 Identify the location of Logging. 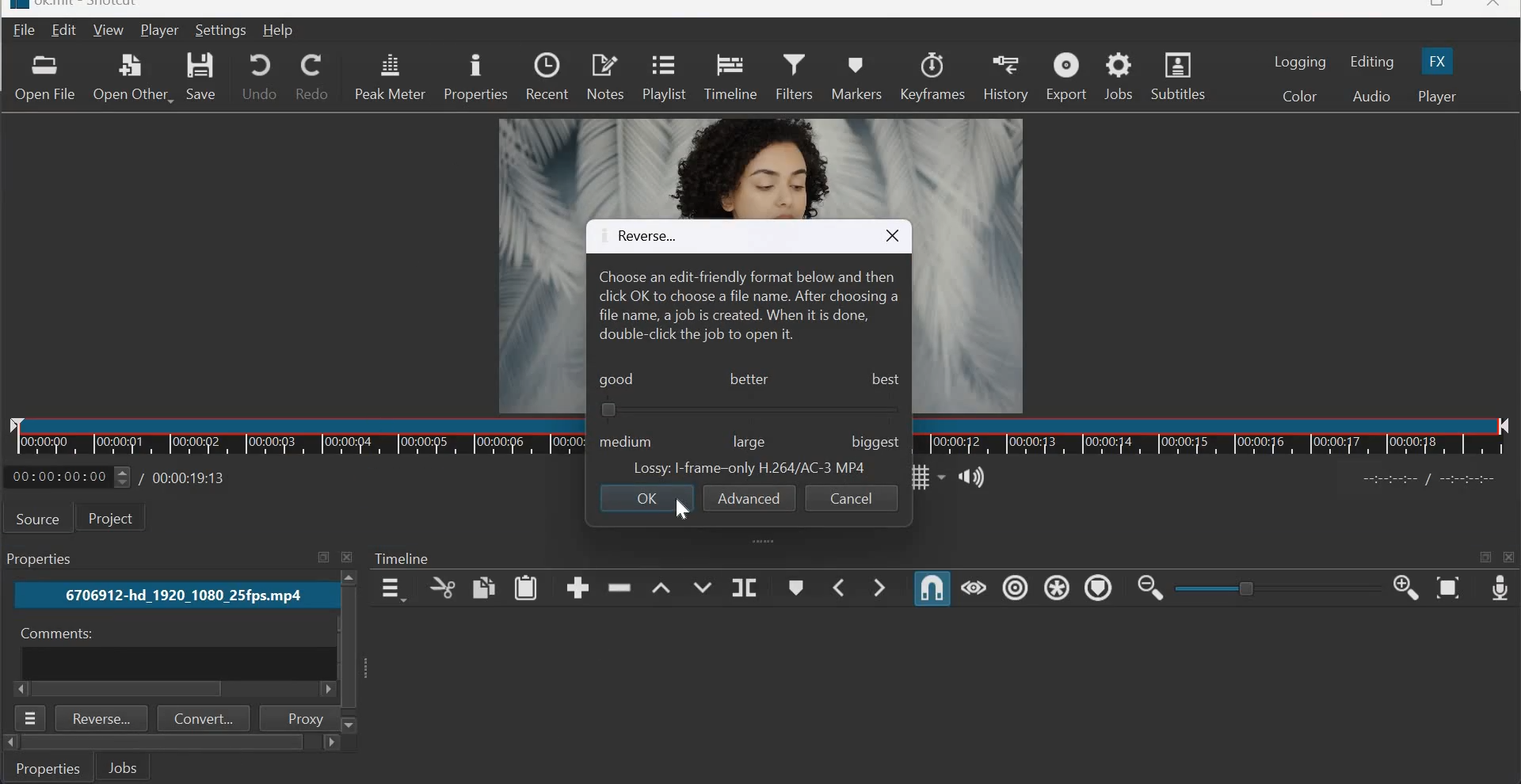
(1301, 62).